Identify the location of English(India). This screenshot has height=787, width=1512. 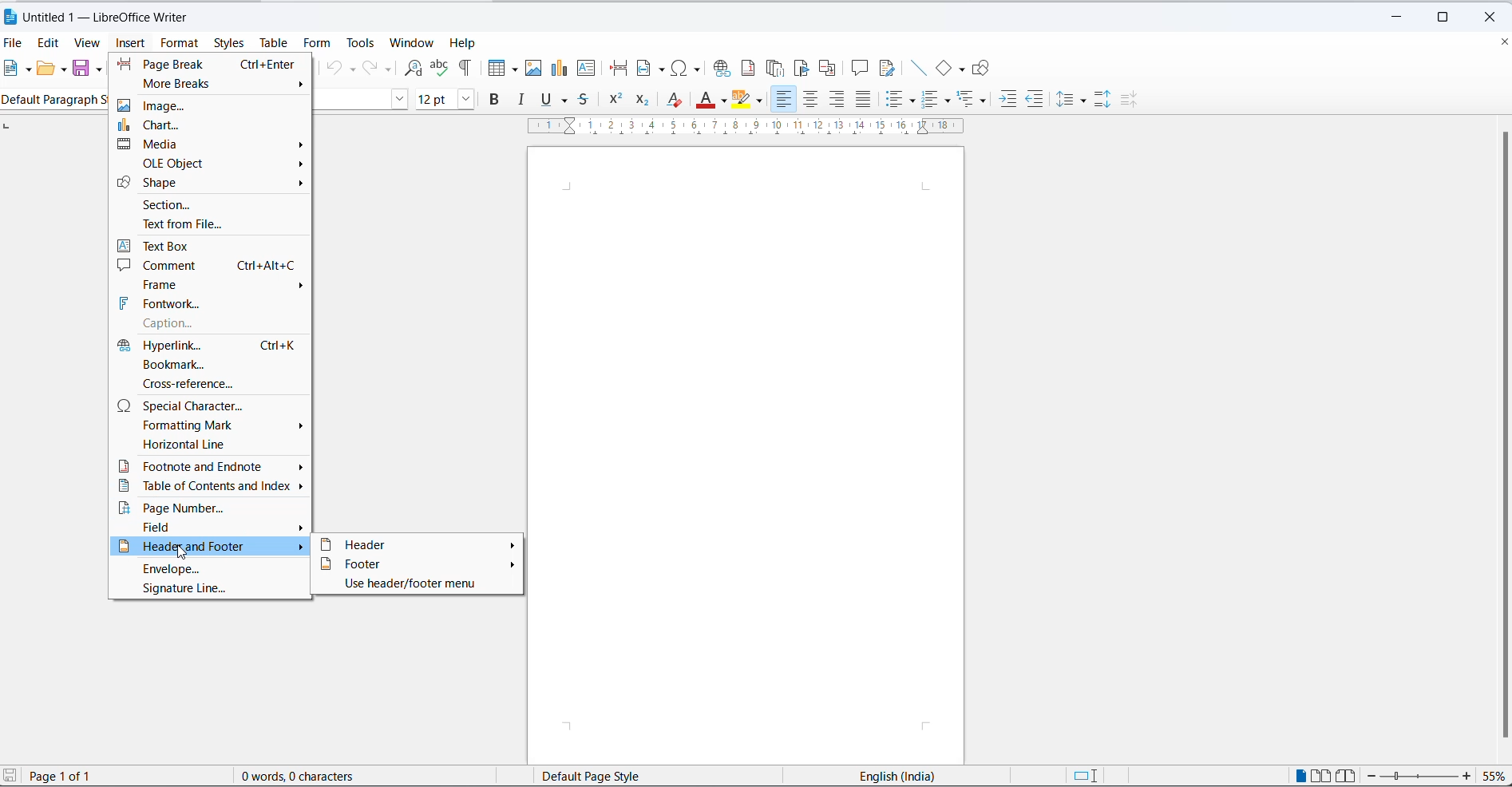
(881, 775).